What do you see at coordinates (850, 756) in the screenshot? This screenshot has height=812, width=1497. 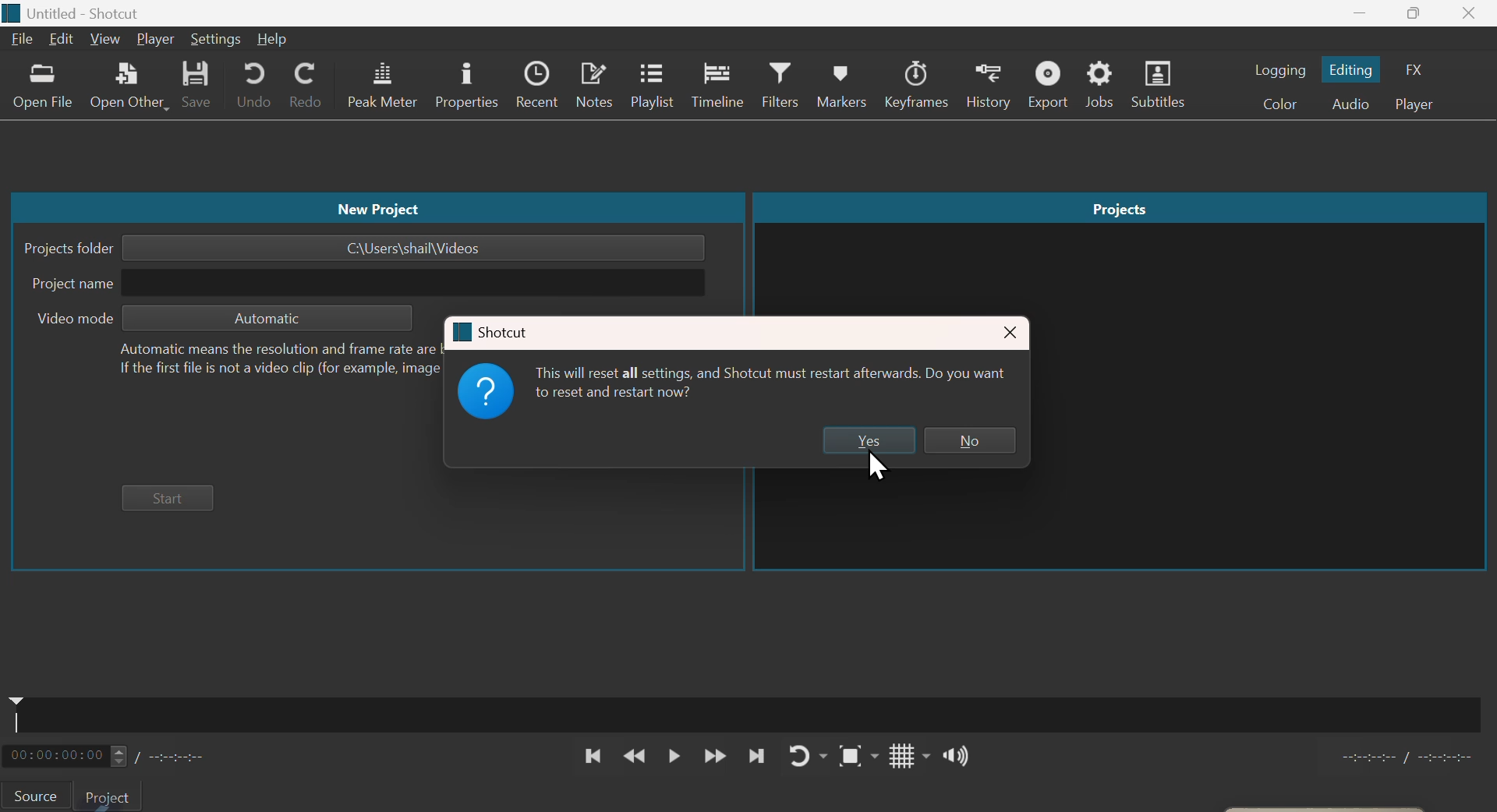 I see `focus` at bounding box center [850, 756].